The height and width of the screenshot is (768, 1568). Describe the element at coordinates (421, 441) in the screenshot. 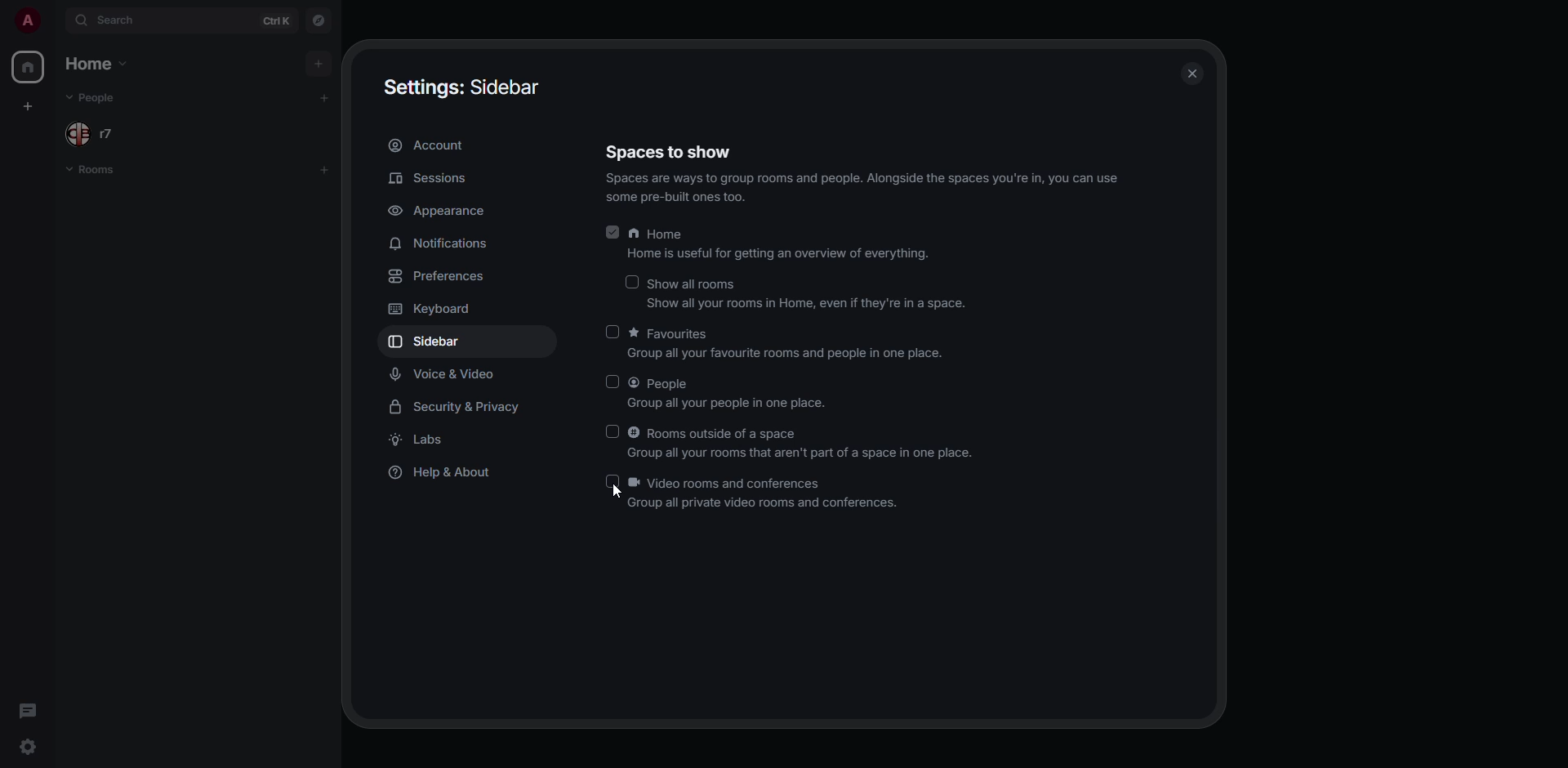

I see `labs` at that location.